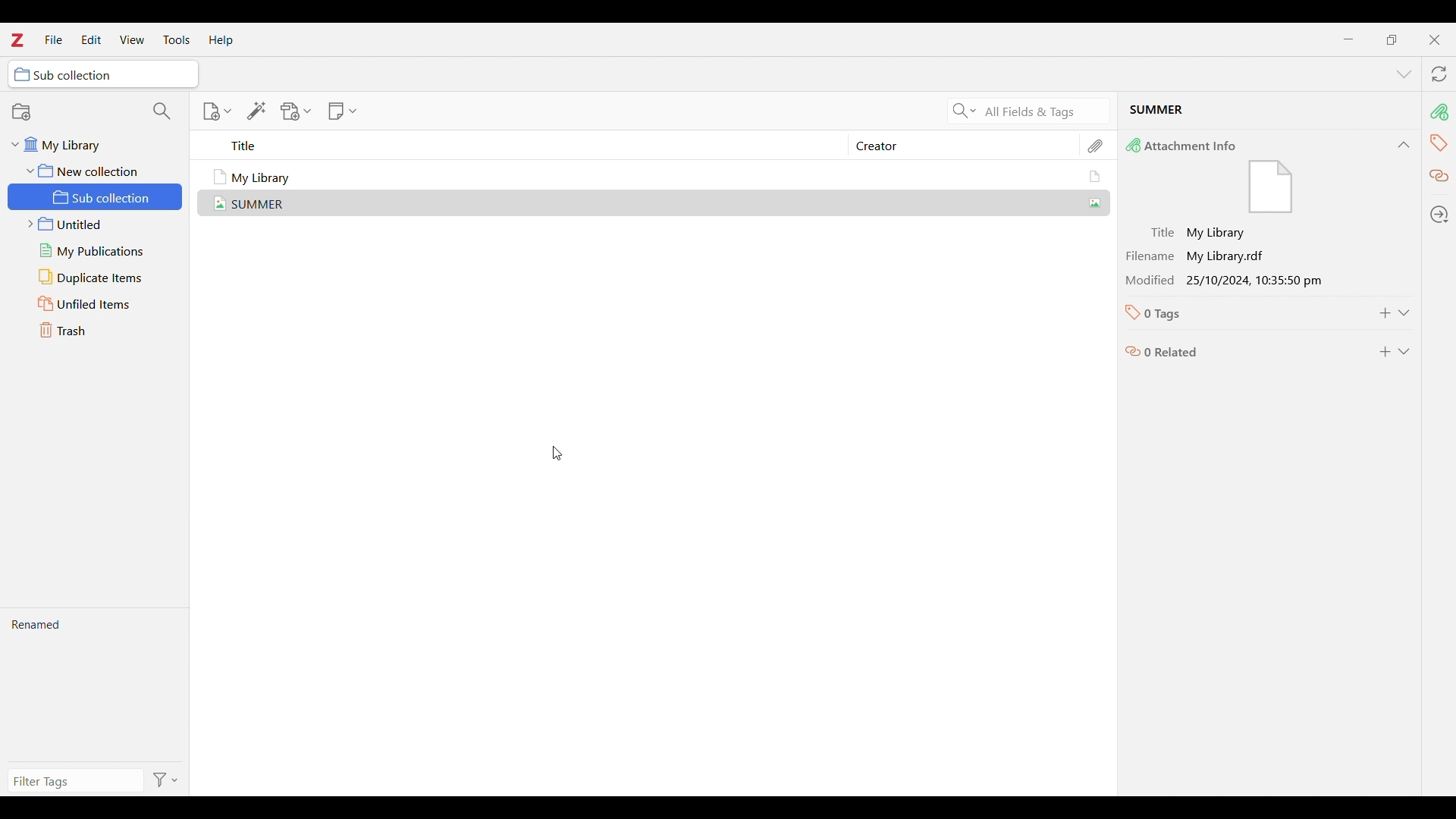 The image size is (1456, 819). What do you see at coordinates (964, 111) in the screenshot?
I see `Search criteria ` at bounding box center [964, 111].